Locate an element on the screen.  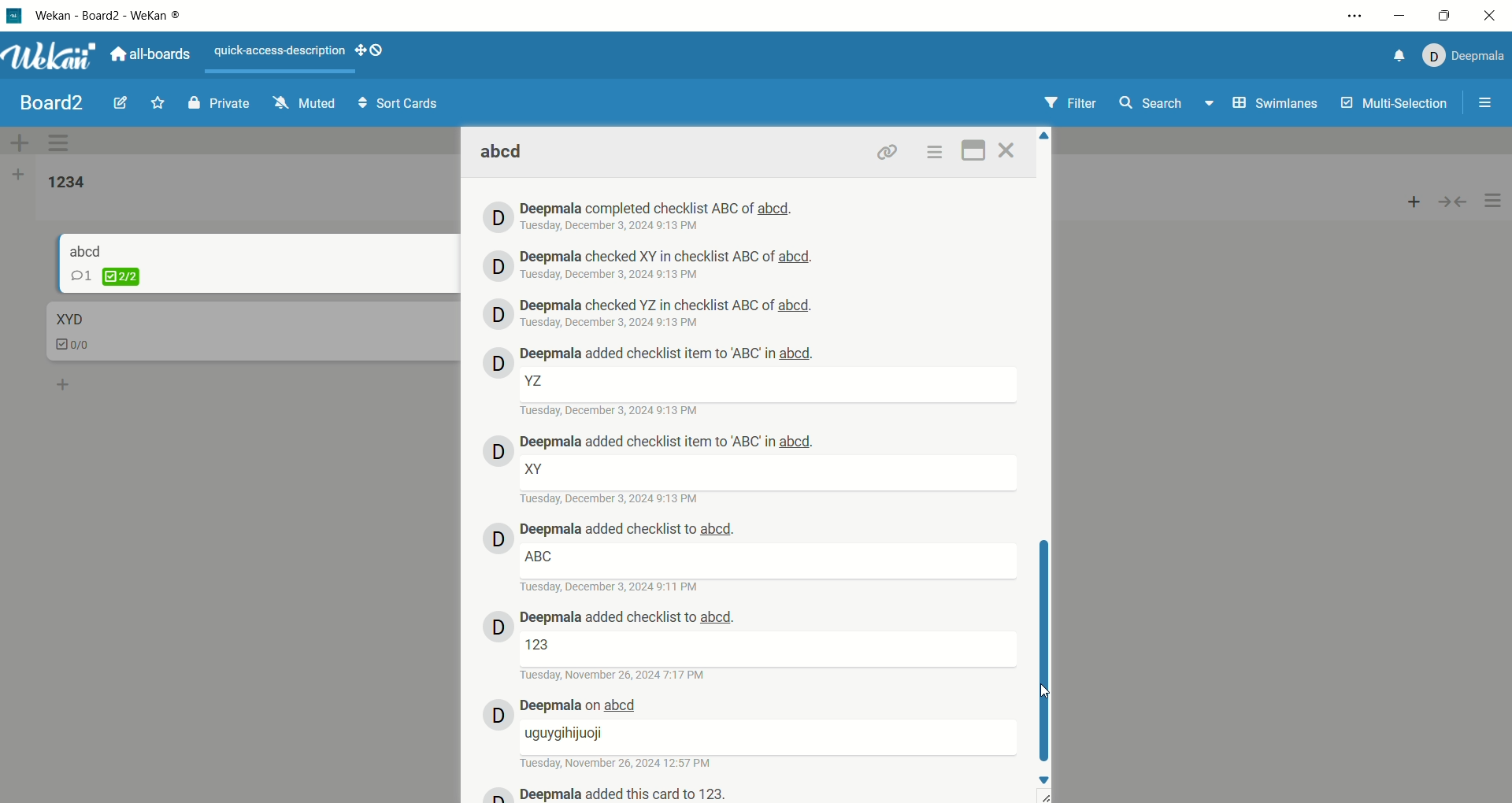
options is located at coordinates (1494, 202).